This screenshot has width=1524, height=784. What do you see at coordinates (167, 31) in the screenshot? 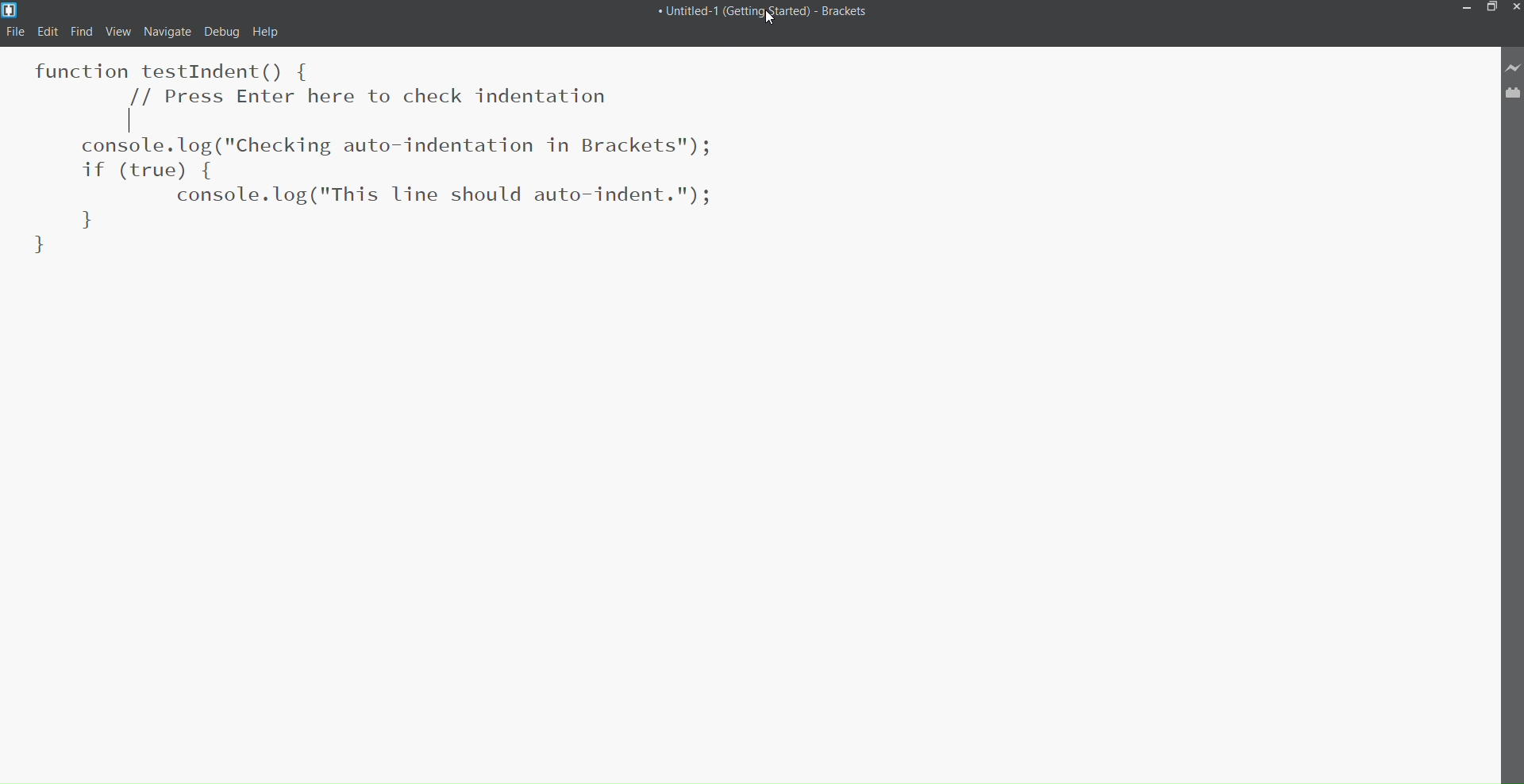
I see `navigate` at bounding box center [167, 31].